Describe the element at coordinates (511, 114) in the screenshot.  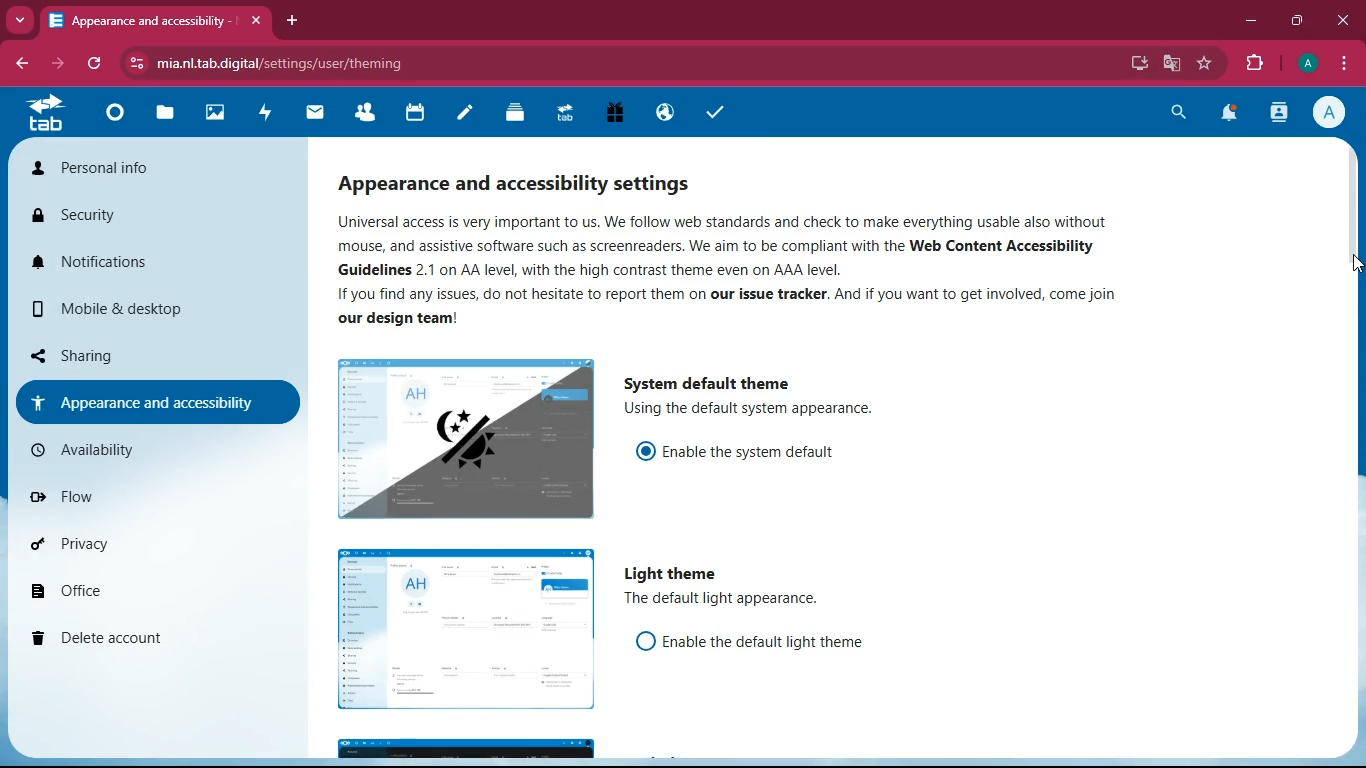
I see `layers` at that location.